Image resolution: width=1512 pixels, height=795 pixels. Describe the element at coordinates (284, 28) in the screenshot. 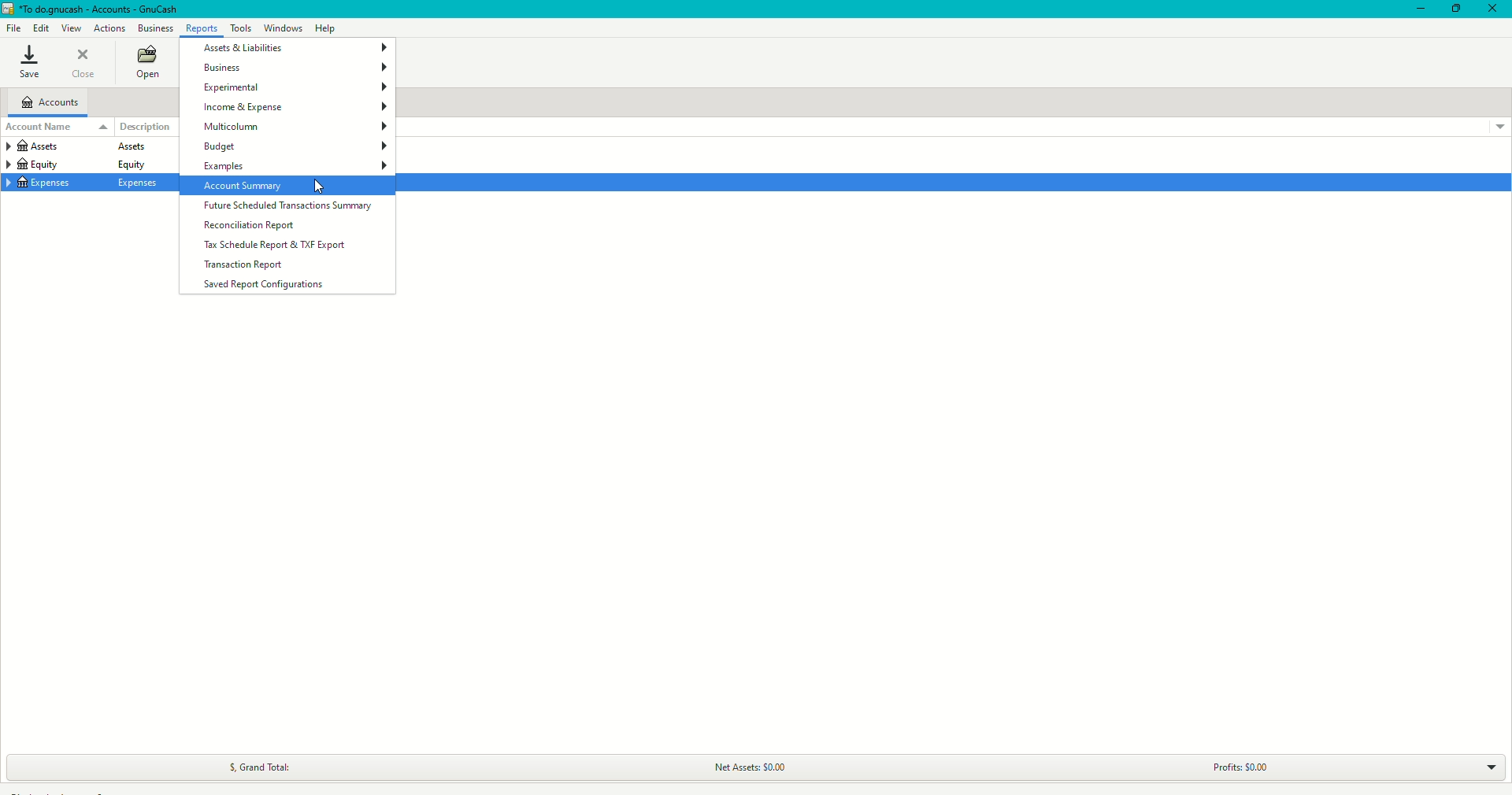

I see `Windows` at that location.